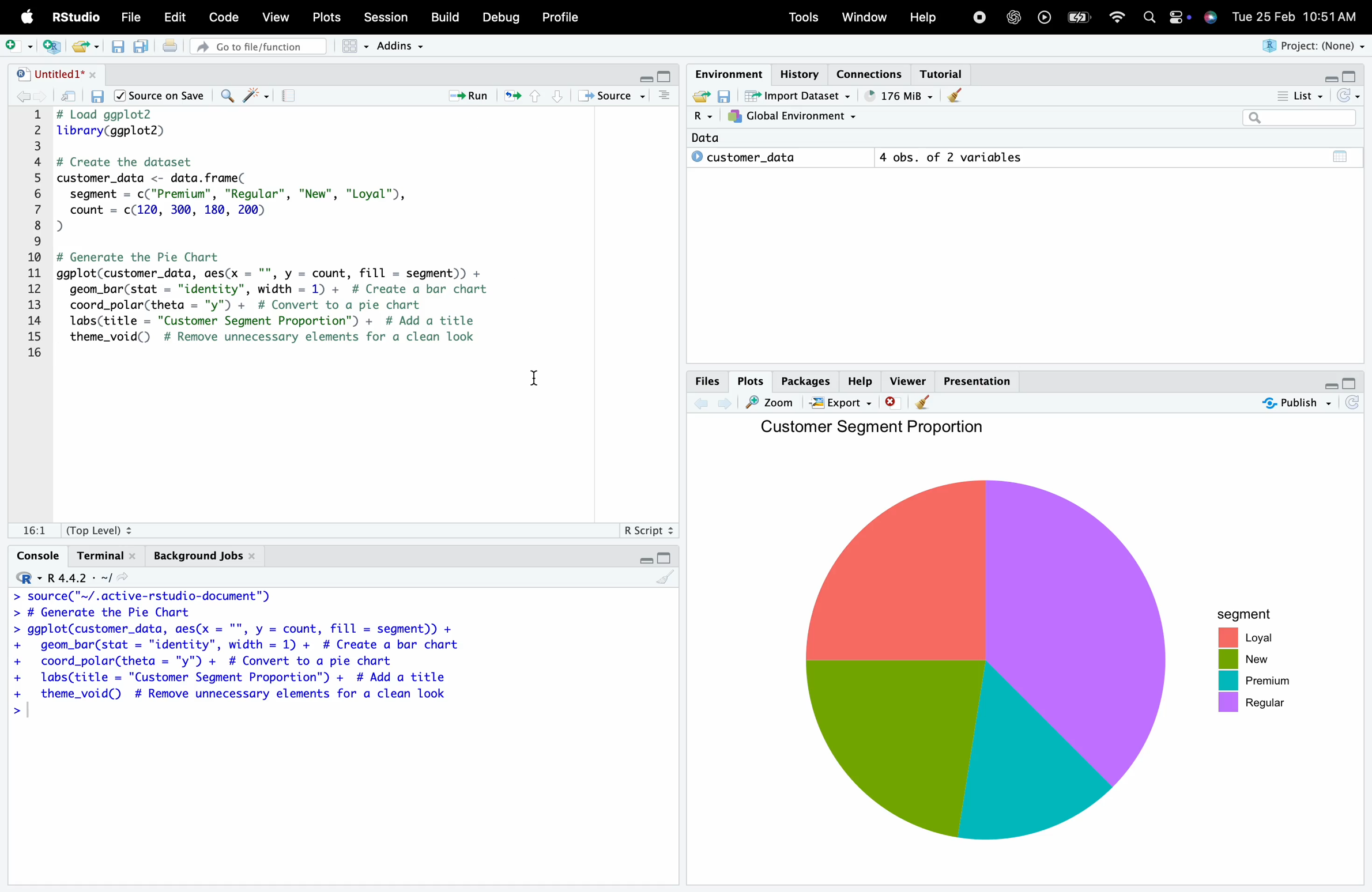  Describe the element at coordinates (227, 17) in the screenshot. I see `Code` at that location.